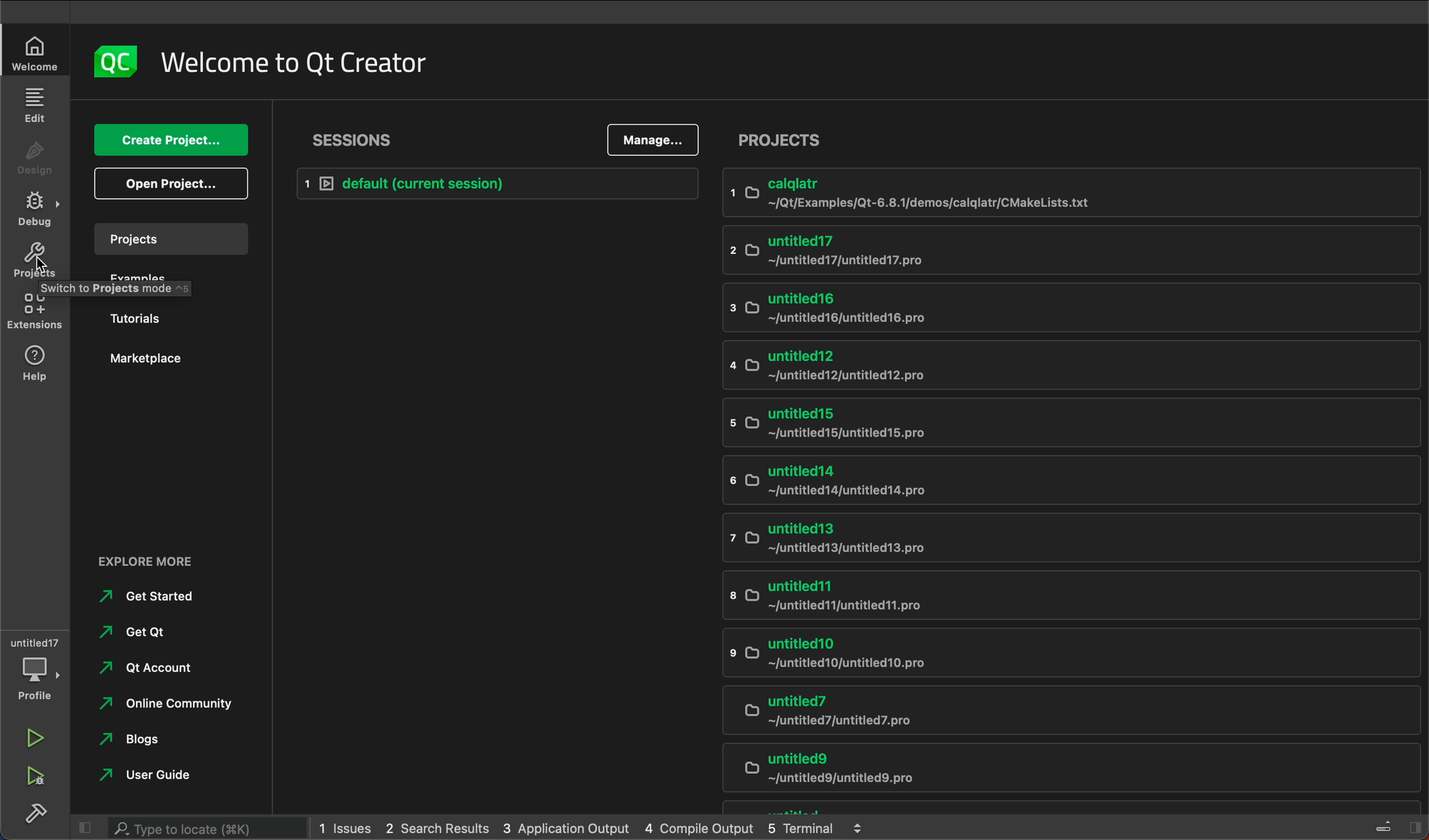  I want to click on blogs, so click(143, 739).